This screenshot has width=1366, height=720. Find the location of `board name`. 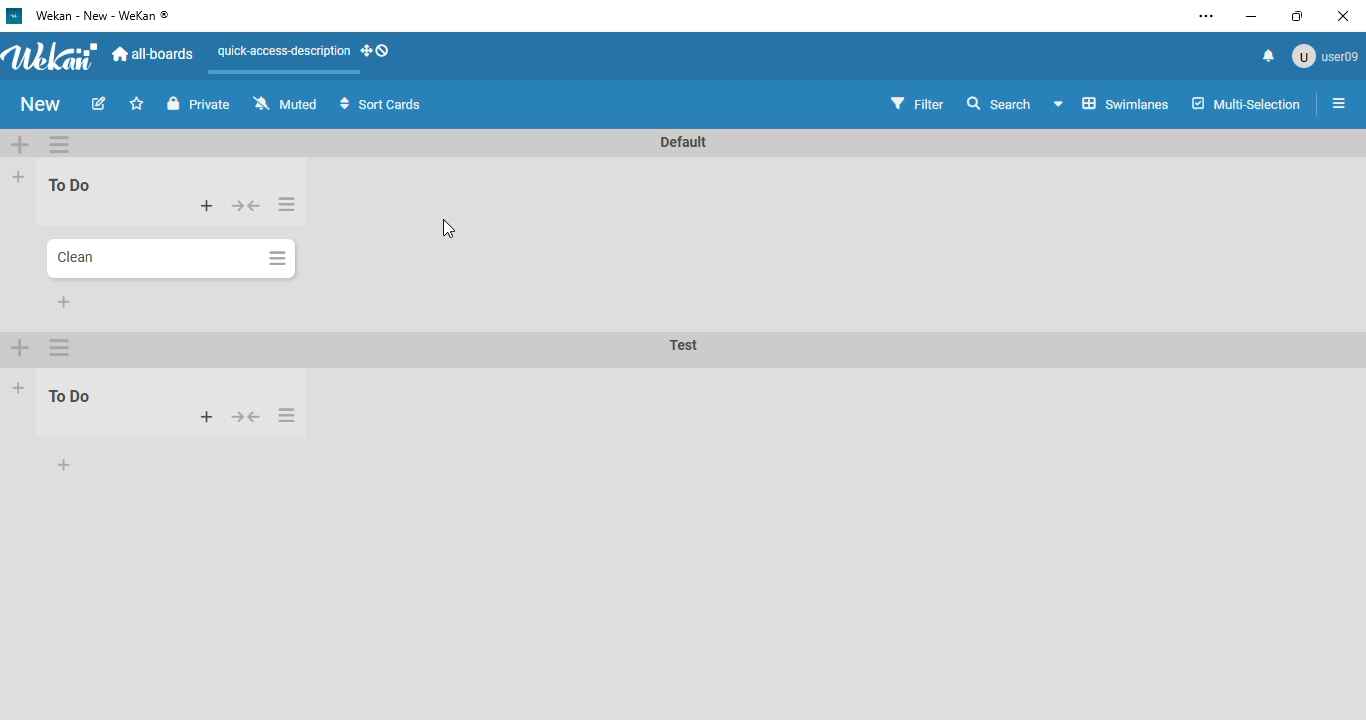

board name is located at coordinates (40, 103).